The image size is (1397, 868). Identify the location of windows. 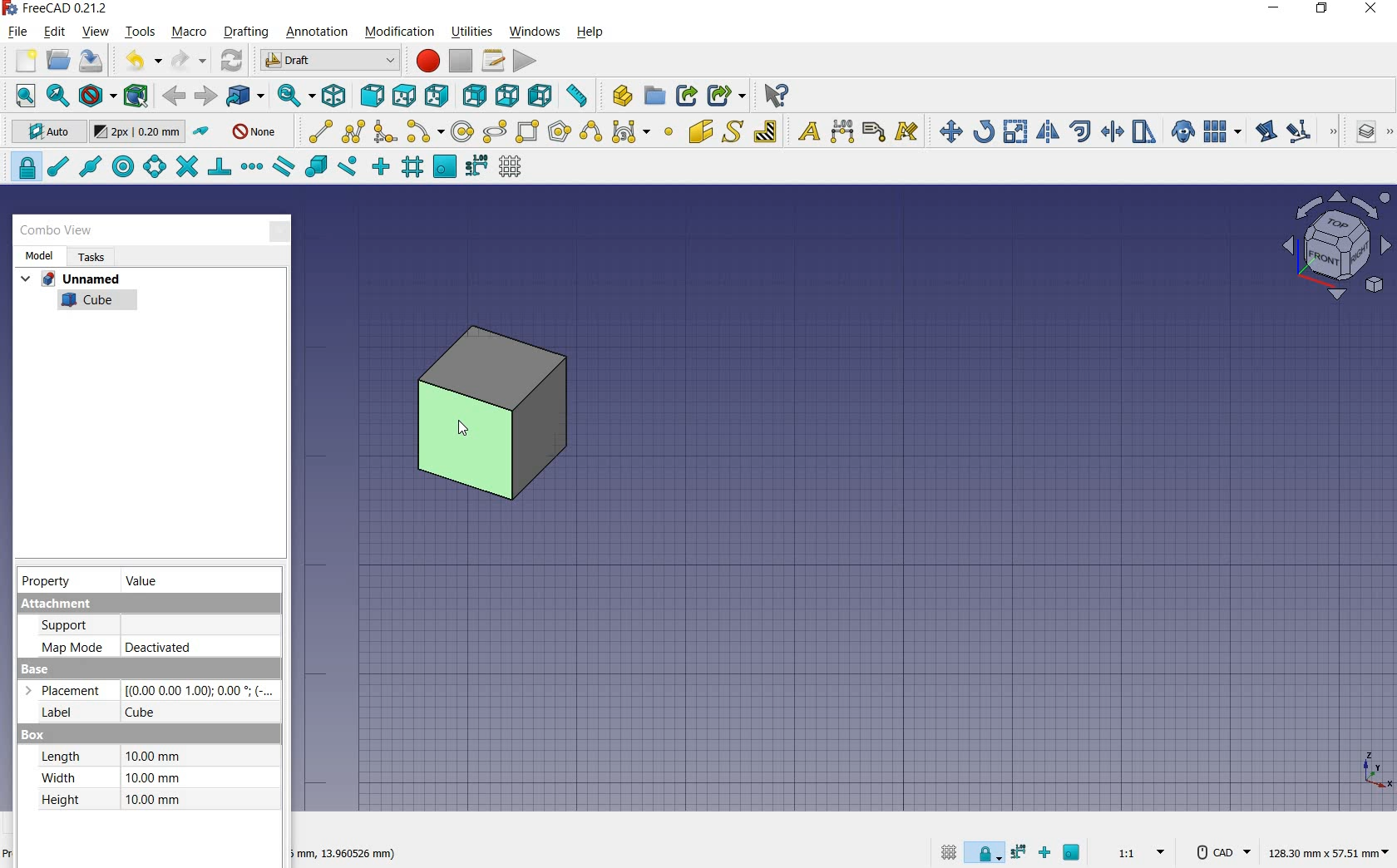
(534, 32).